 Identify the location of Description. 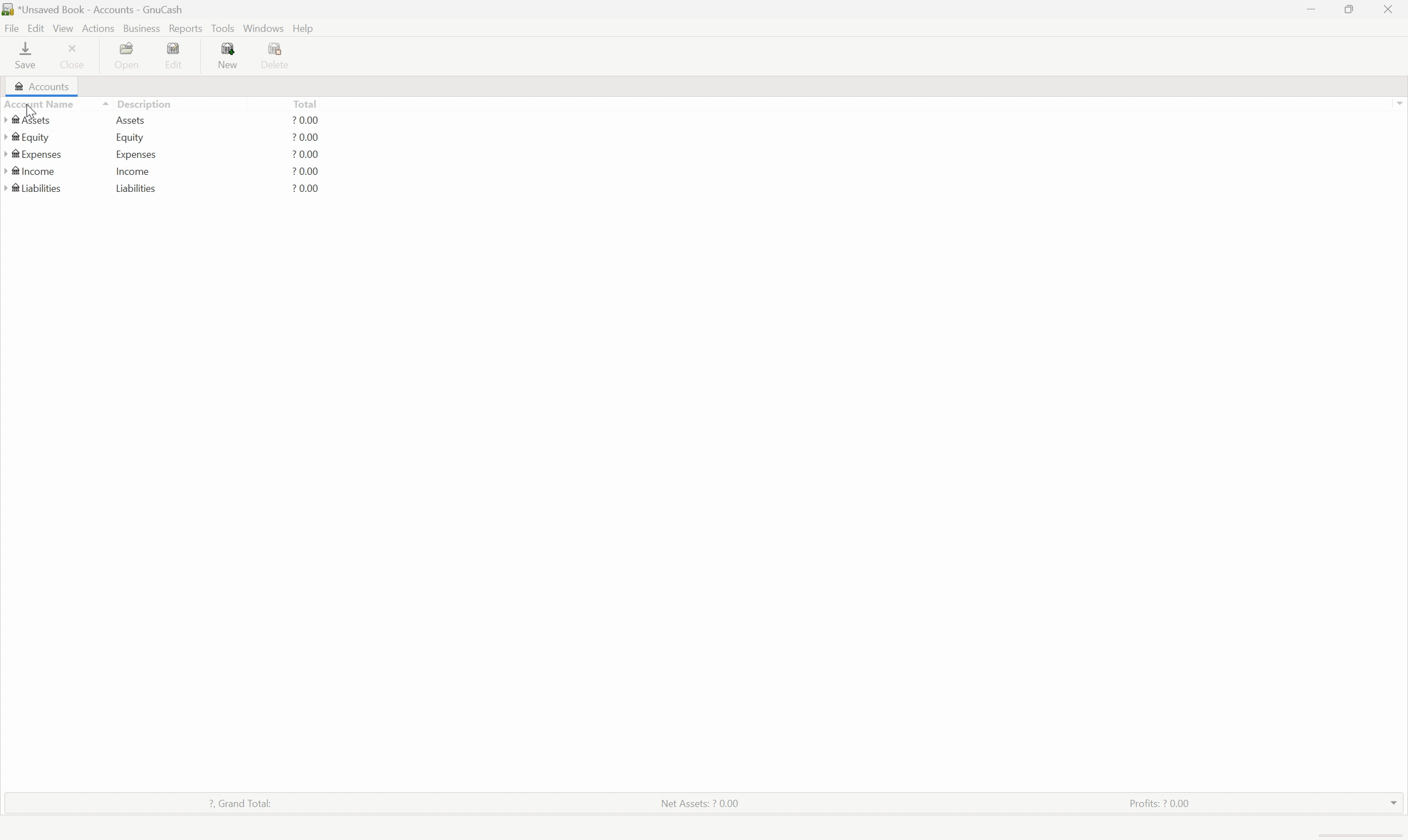
(140, 103).